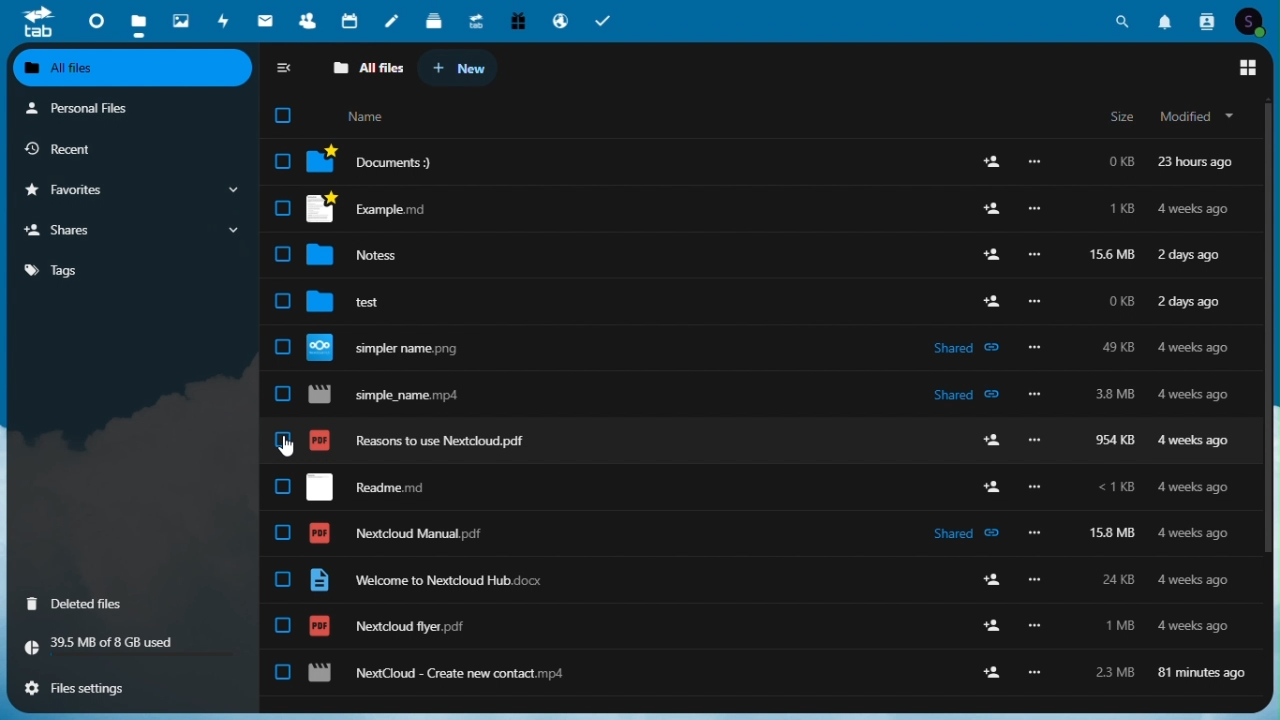  What do you see at coordinates (283, 672) in the screenshot?
I see `checkbox` at bounding box center [283, 672].